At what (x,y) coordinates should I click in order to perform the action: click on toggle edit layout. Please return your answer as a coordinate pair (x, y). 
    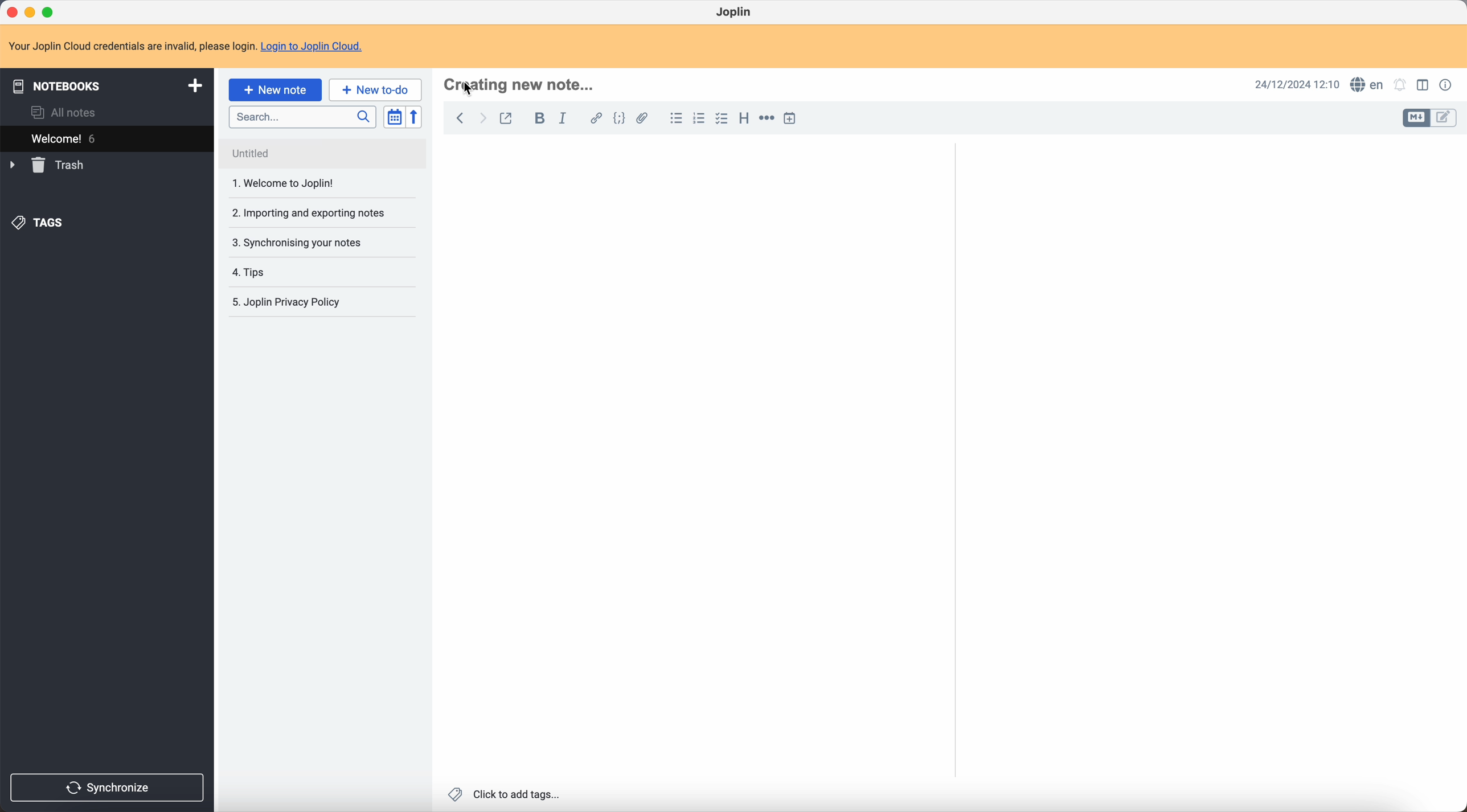
    Looking at the image, I should click on (1424, 84).